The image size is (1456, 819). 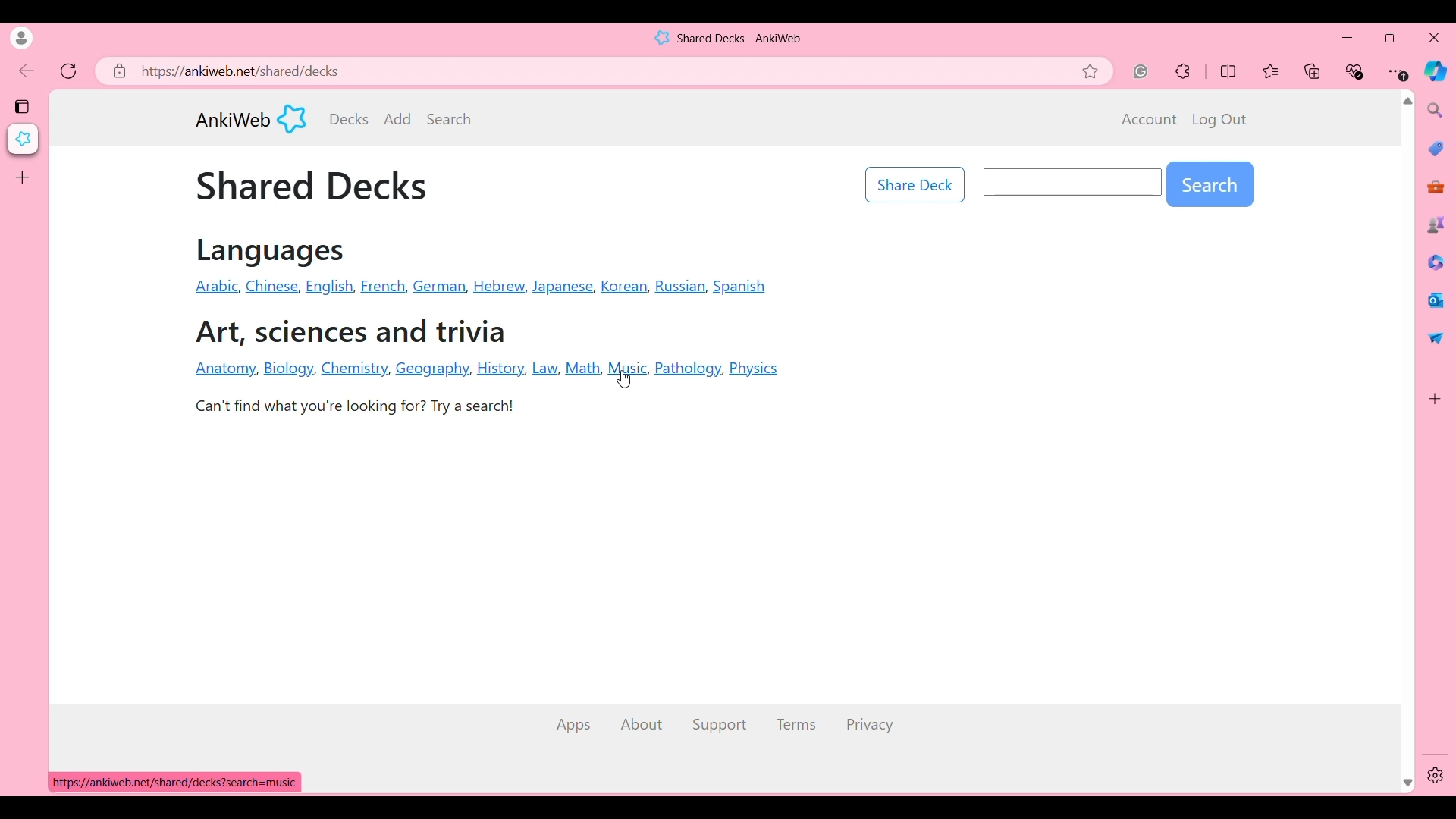 I want to click on Browser messaging software, so click(x=1436, y=300).